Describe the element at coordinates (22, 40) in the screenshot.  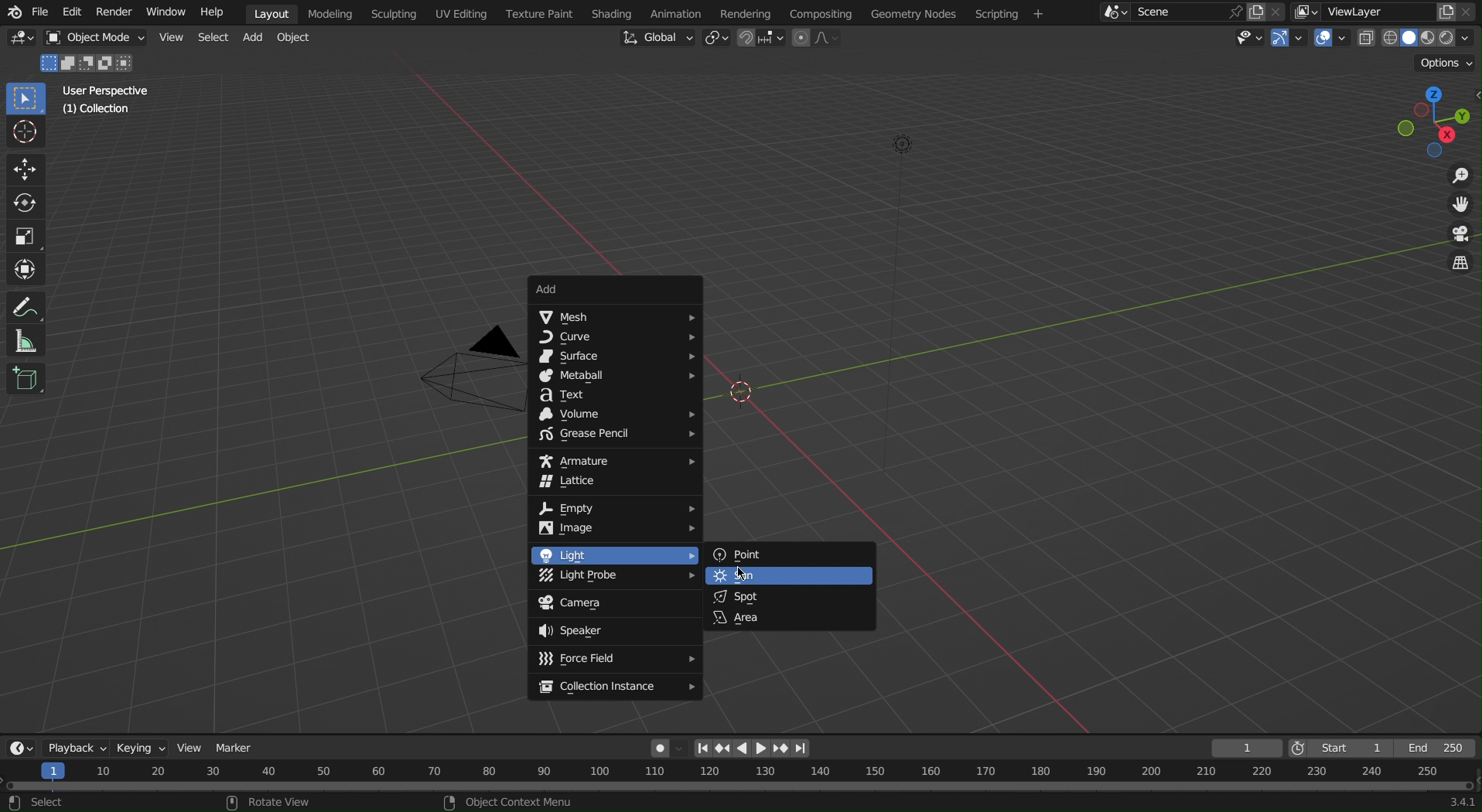
I see `Editor Types` at that location.